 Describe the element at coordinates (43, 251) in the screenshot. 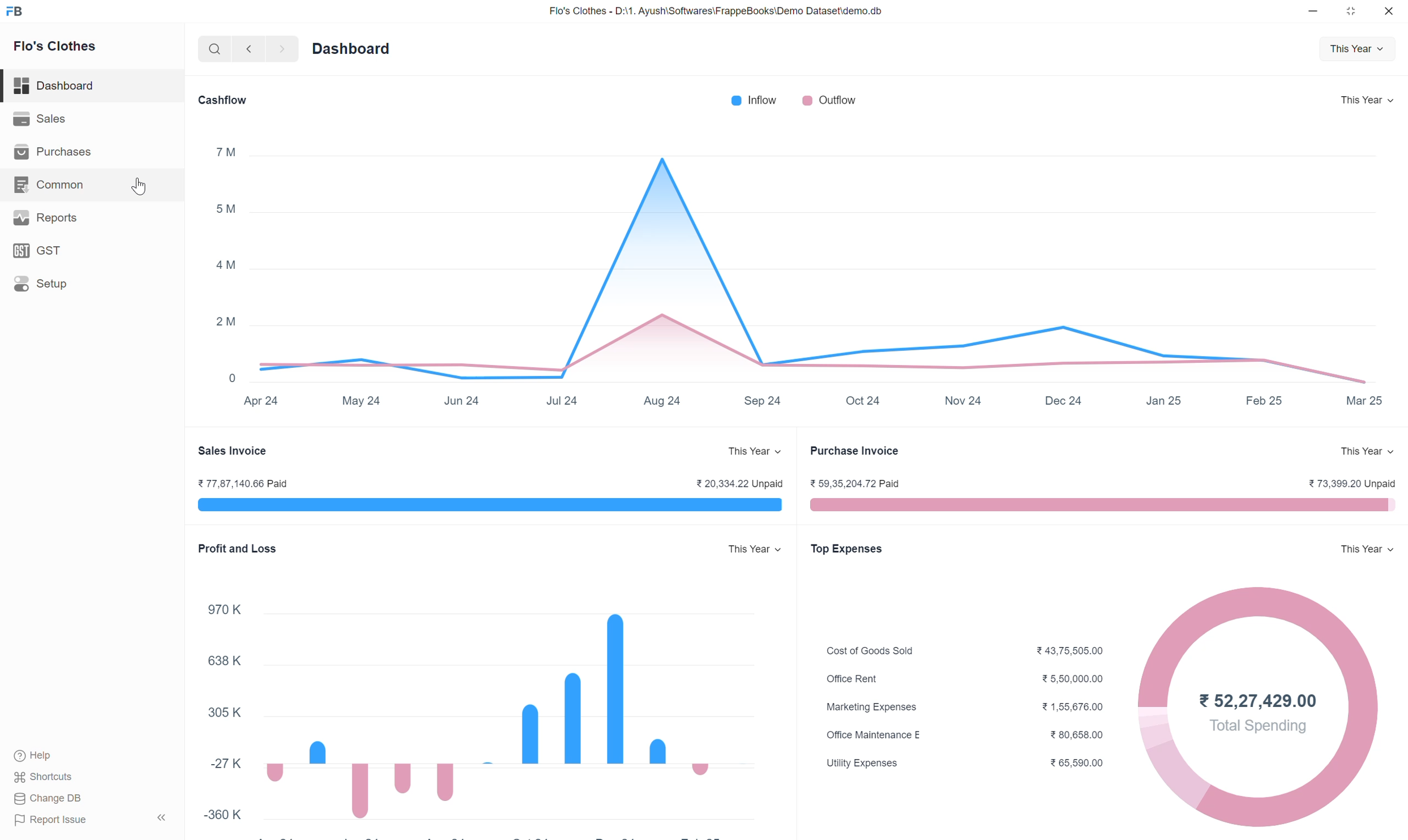

I see `GST` at that location.